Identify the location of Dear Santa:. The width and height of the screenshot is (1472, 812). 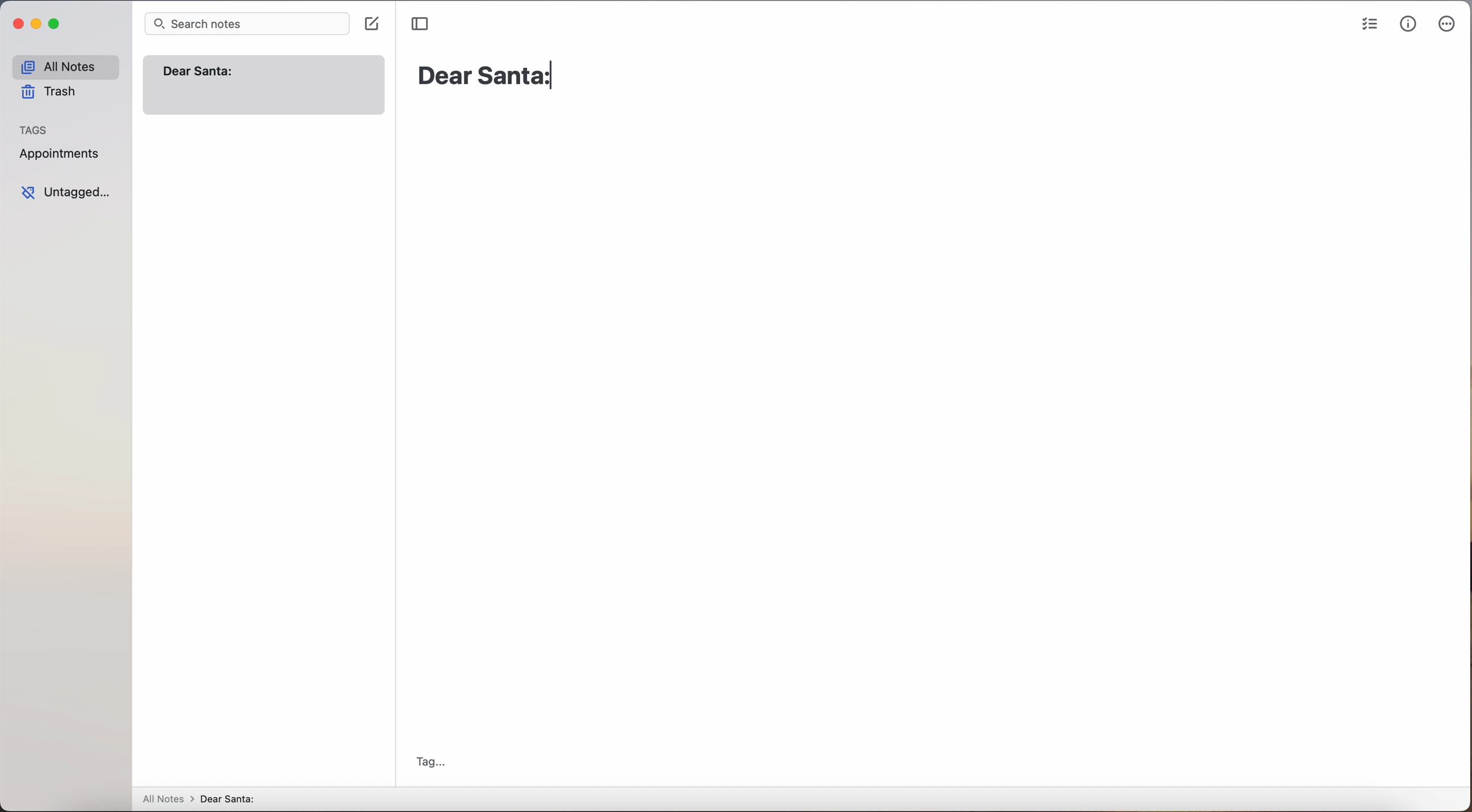
(492, 76).